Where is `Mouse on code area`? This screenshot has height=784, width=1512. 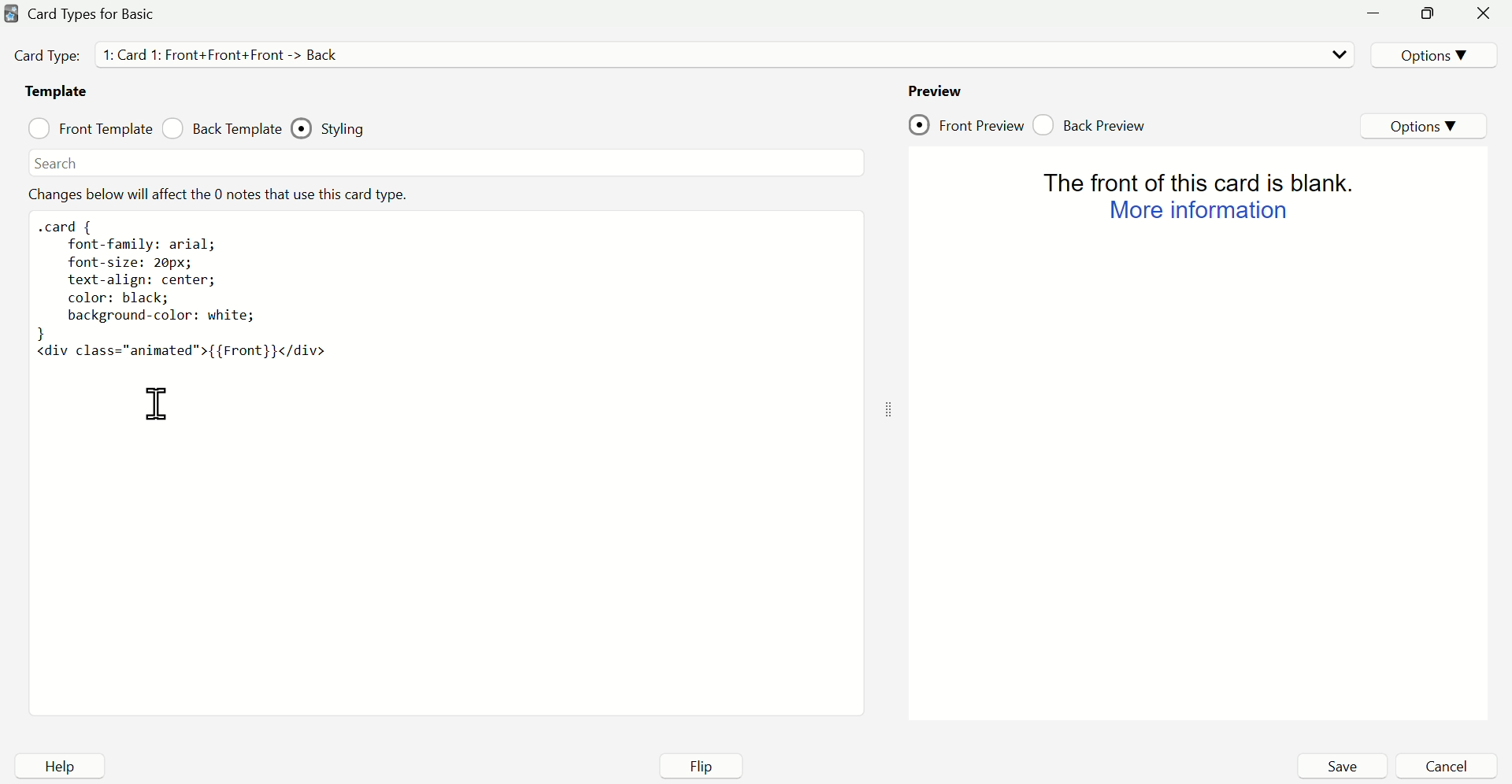
Mouse on code area is located at coordinates (158, 405).